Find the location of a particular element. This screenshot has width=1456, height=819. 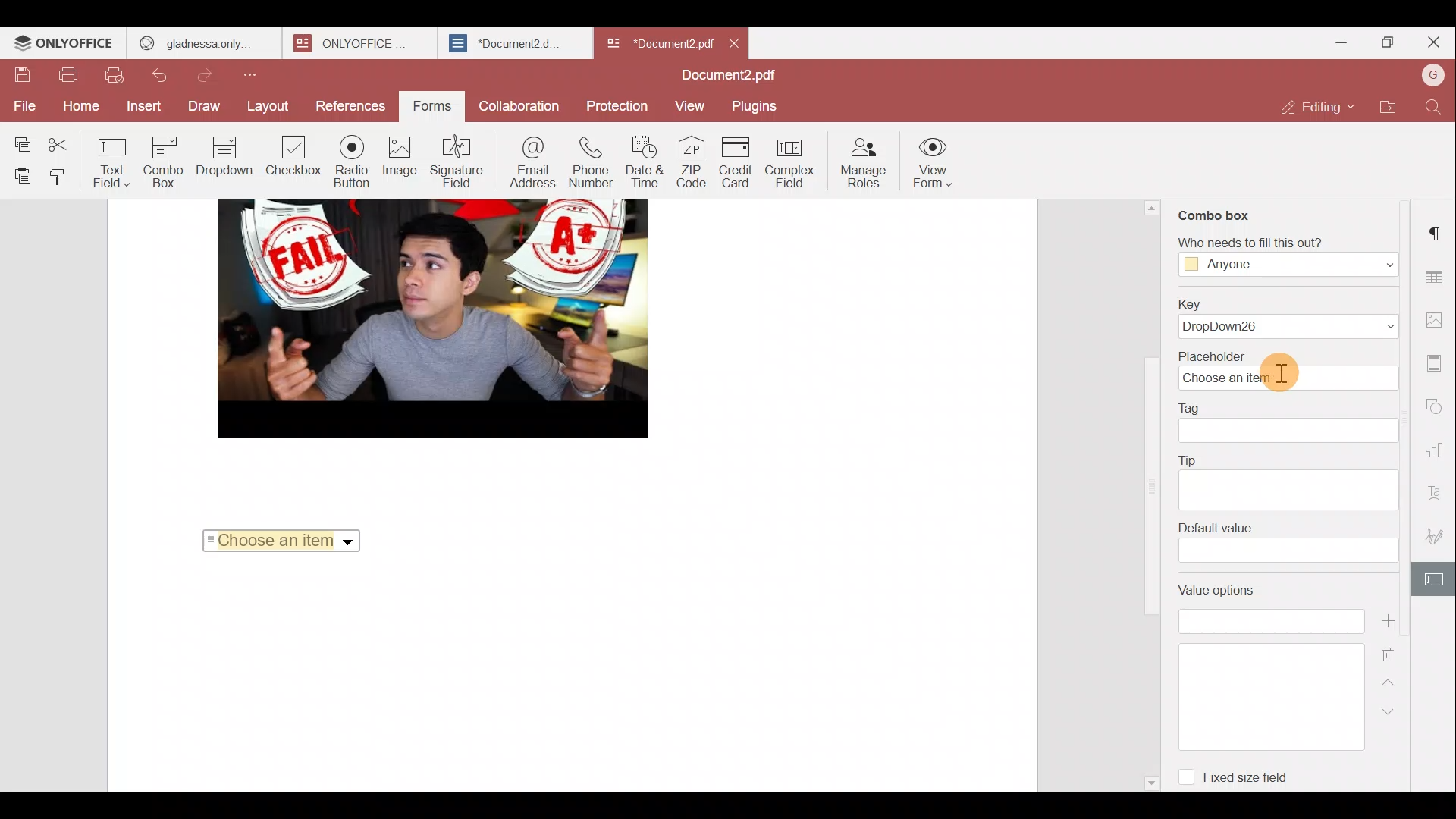

View is located at coordinates (692, 105).